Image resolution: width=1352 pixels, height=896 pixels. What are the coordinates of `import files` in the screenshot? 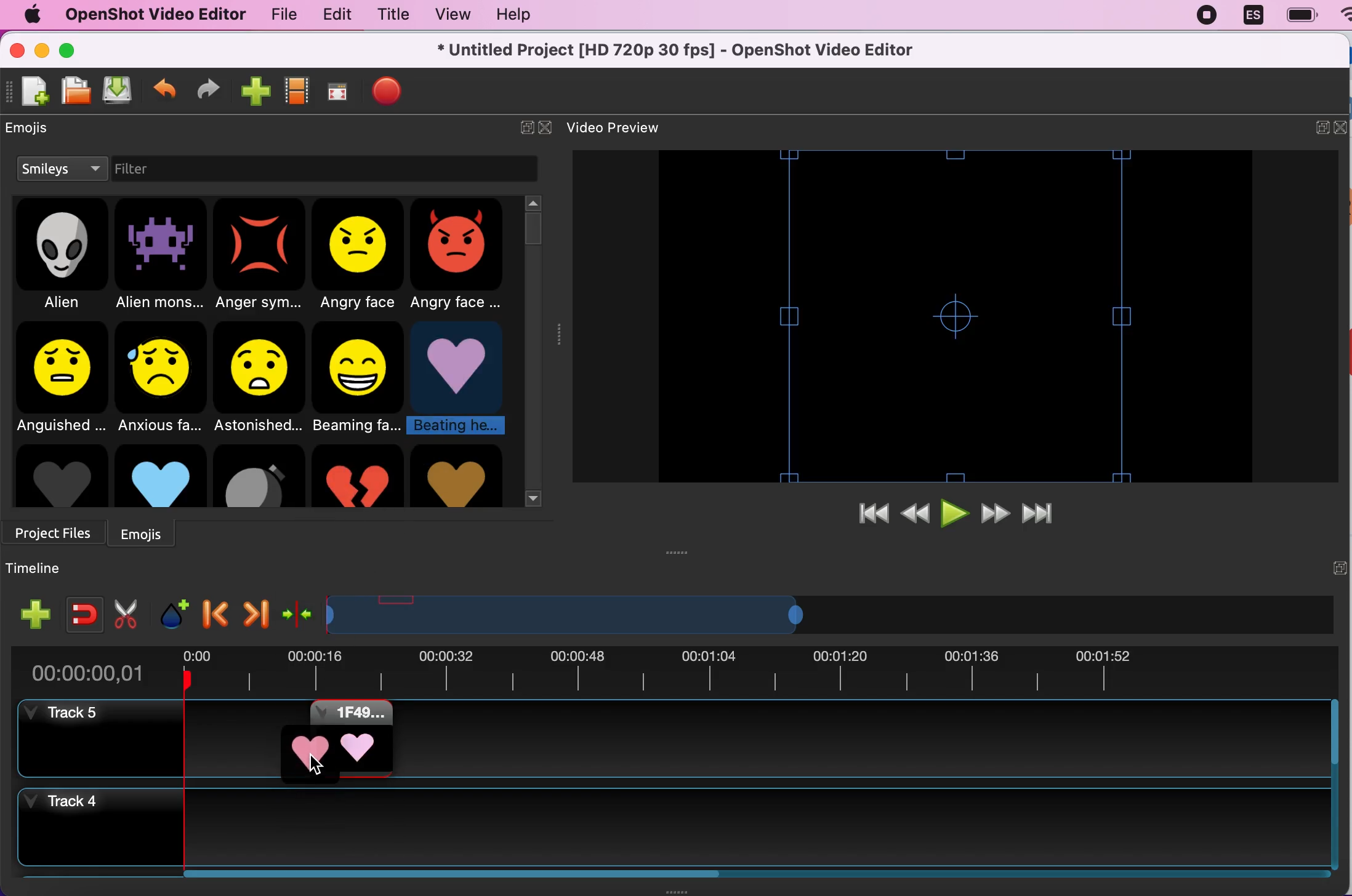 It's located at (254, 89).